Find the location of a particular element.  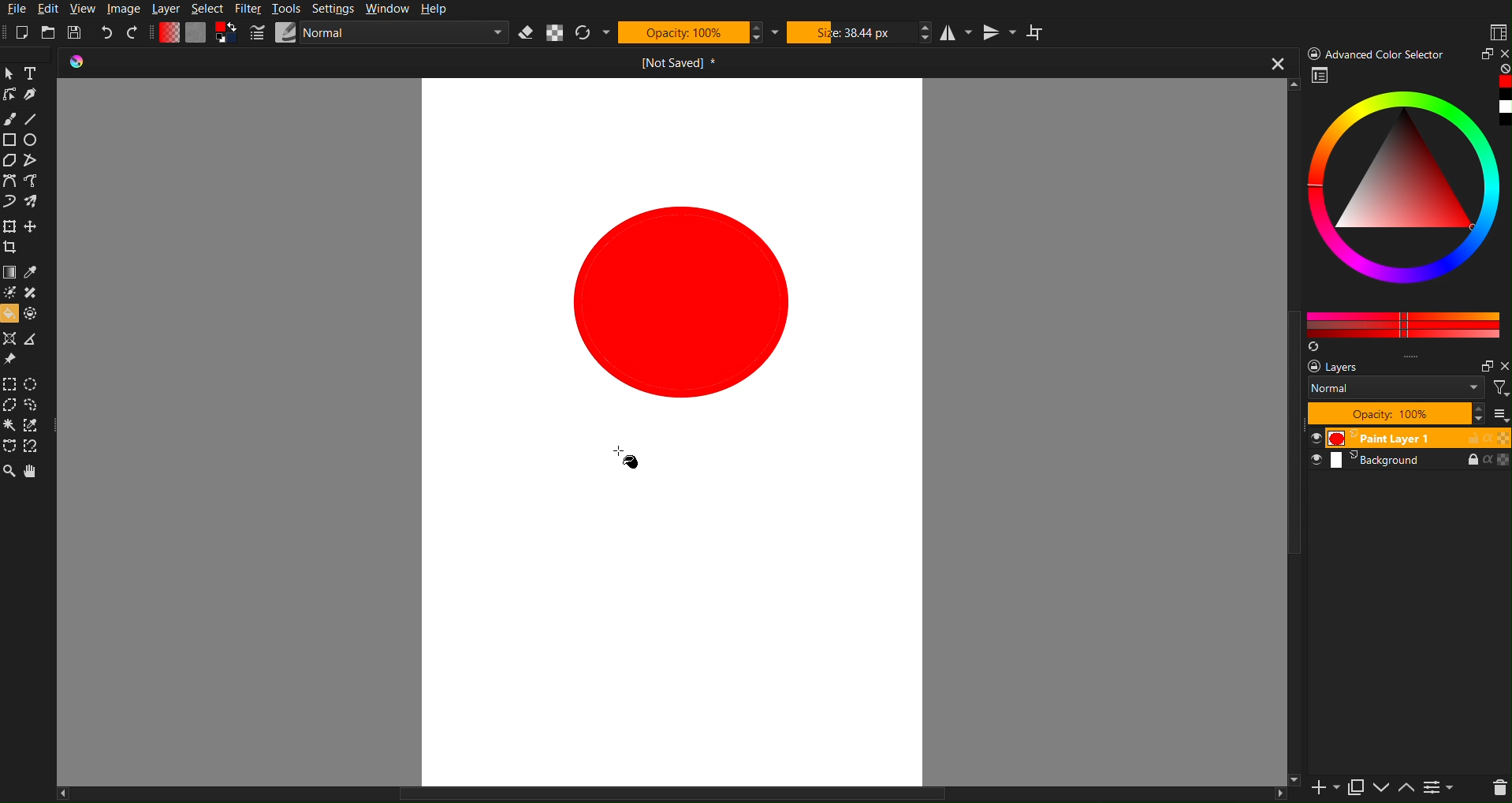

Move Down is located at coordinates (1410, 790).